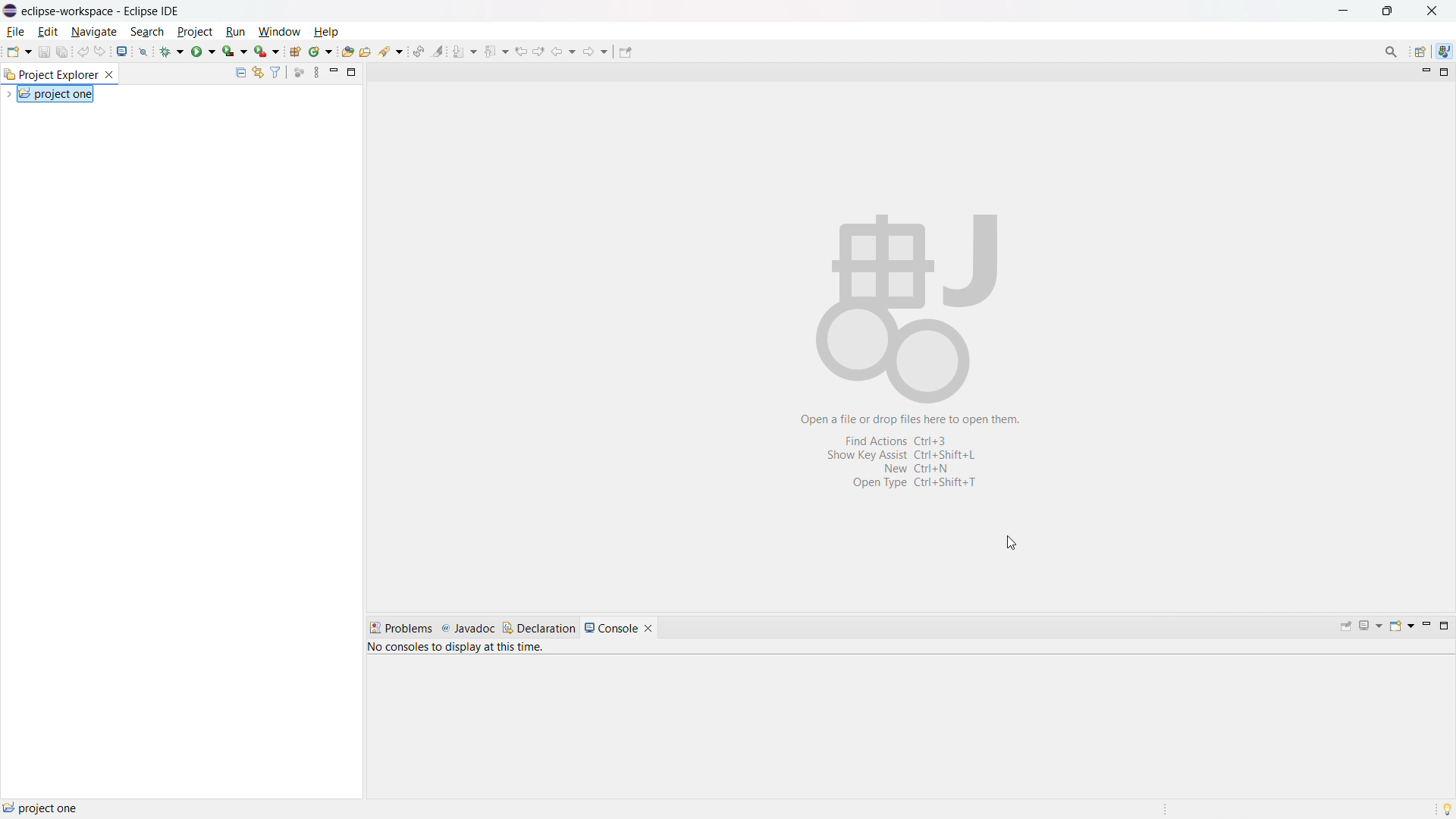  What do you see at coordinates (1372, 626) in the screenshot?
I see `display selected console` at bounding box center [1372, 626].